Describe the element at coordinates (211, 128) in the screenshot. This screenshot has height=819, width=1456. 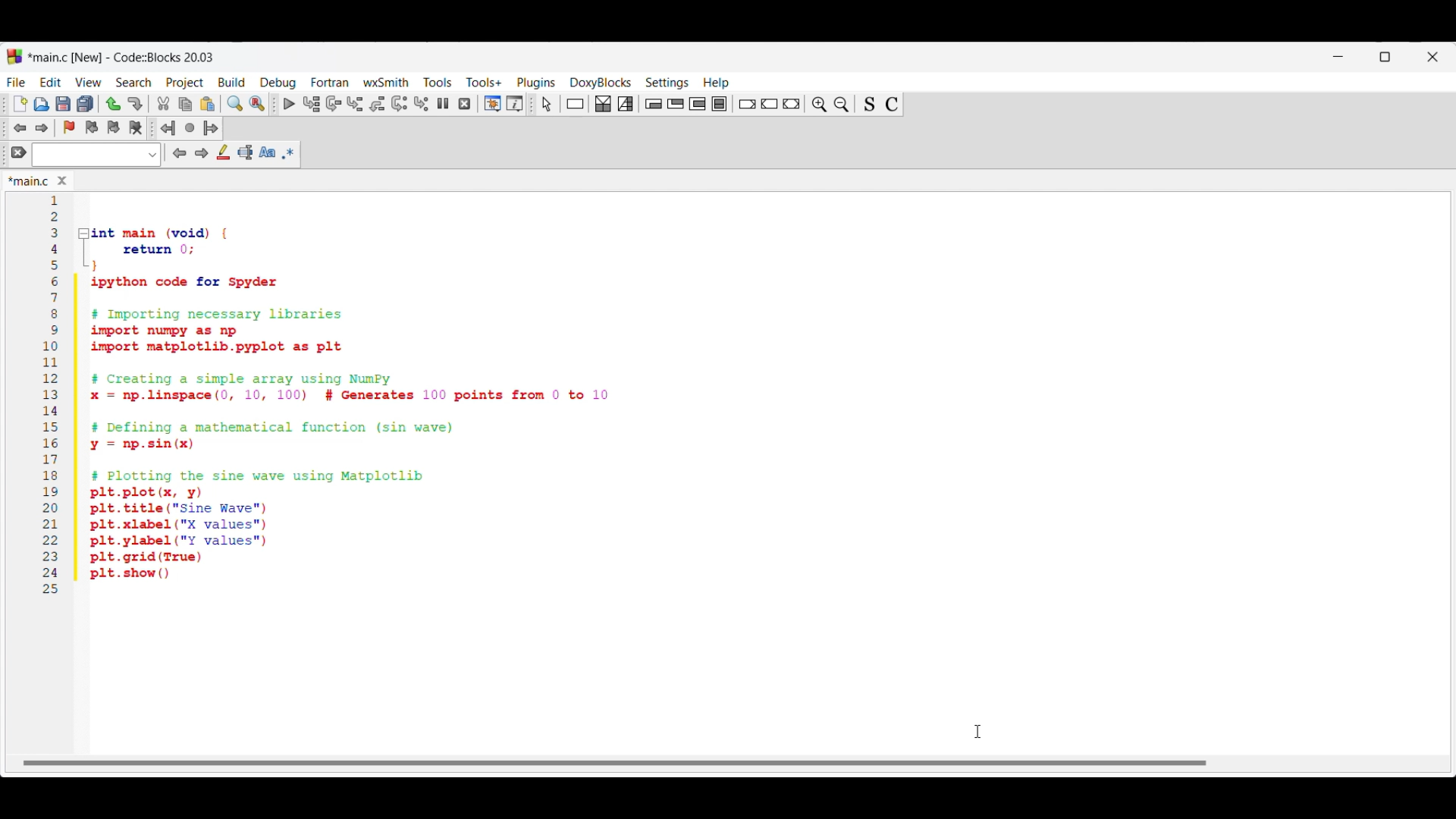
I see `Jump forward` at that location.